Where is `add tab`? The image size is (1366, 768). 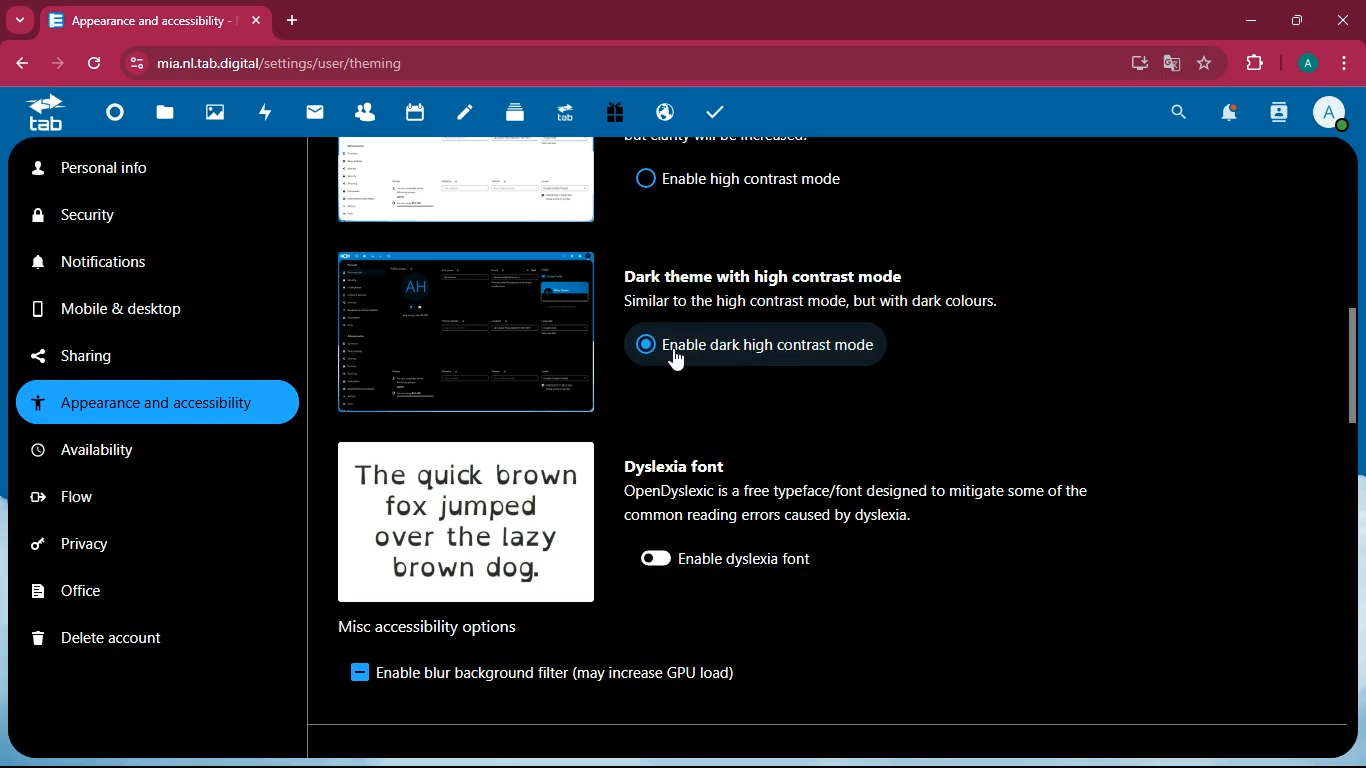
add tab is located at coordinates (292, 20).